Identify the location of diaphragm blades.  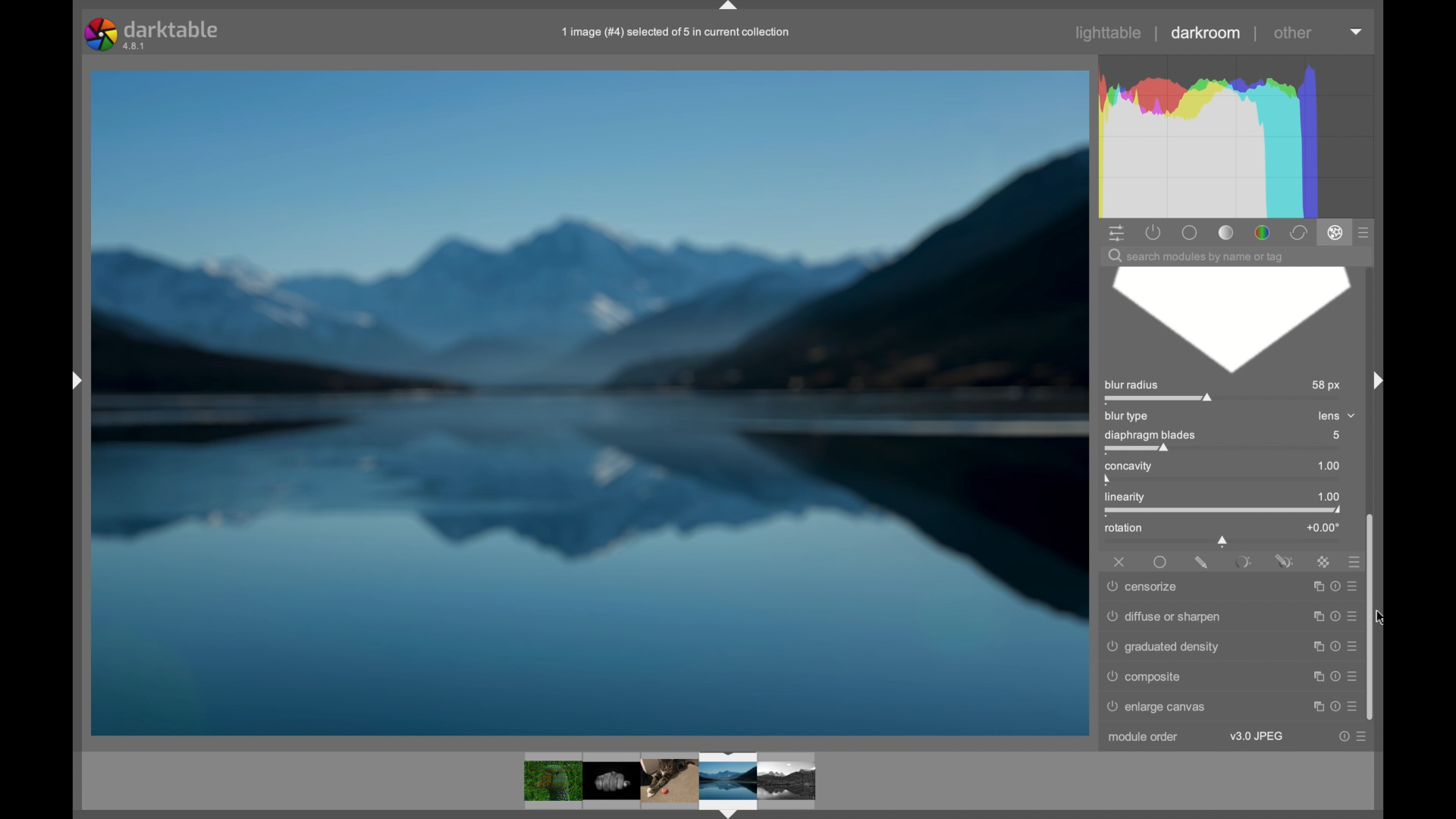
(1150, 441).